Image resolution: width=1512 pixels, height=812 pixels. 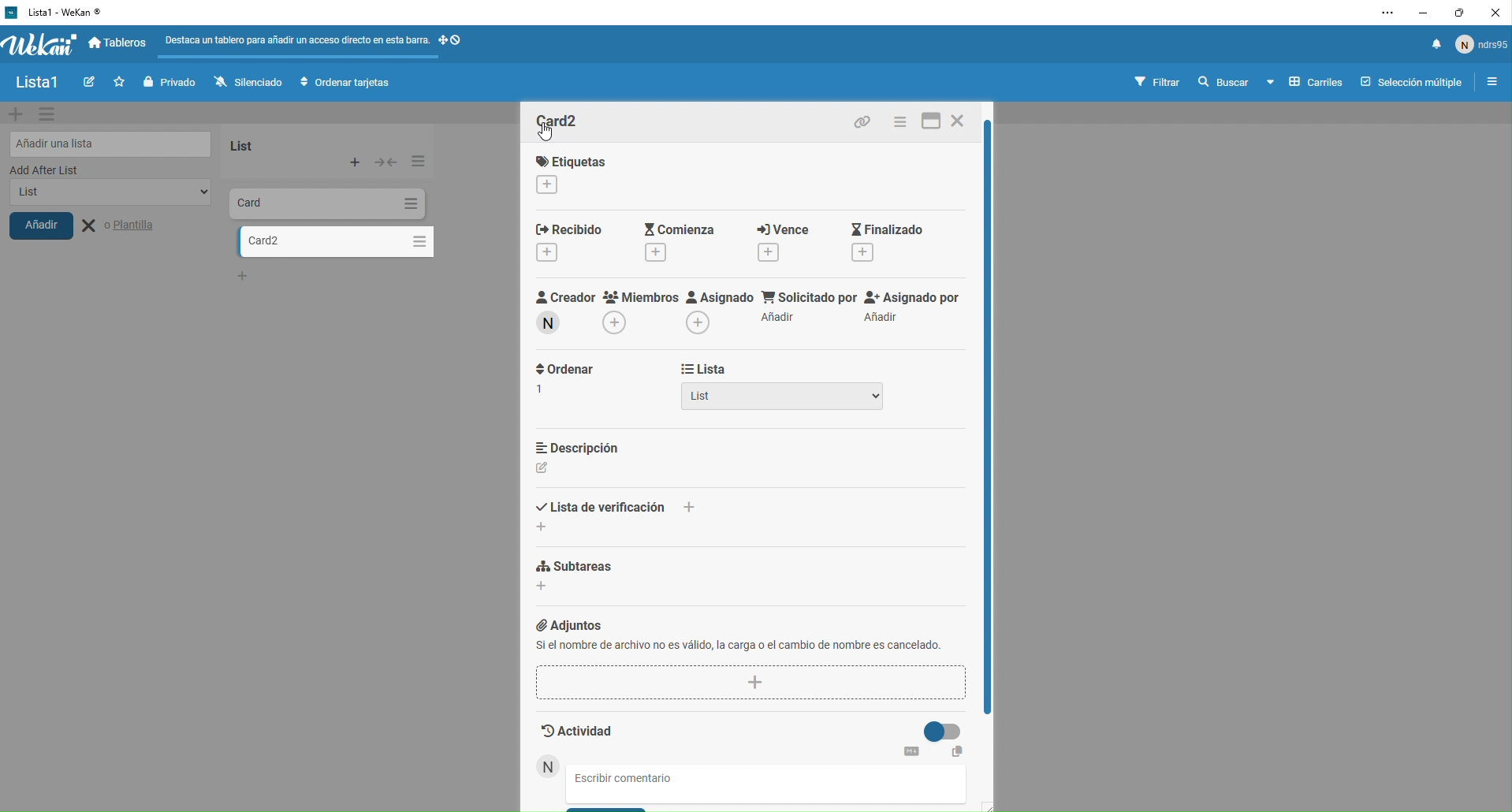 What do you see at coordinates (593, 173) in the screenshot?
I see `etiquette` at bounding box center [593, 173].